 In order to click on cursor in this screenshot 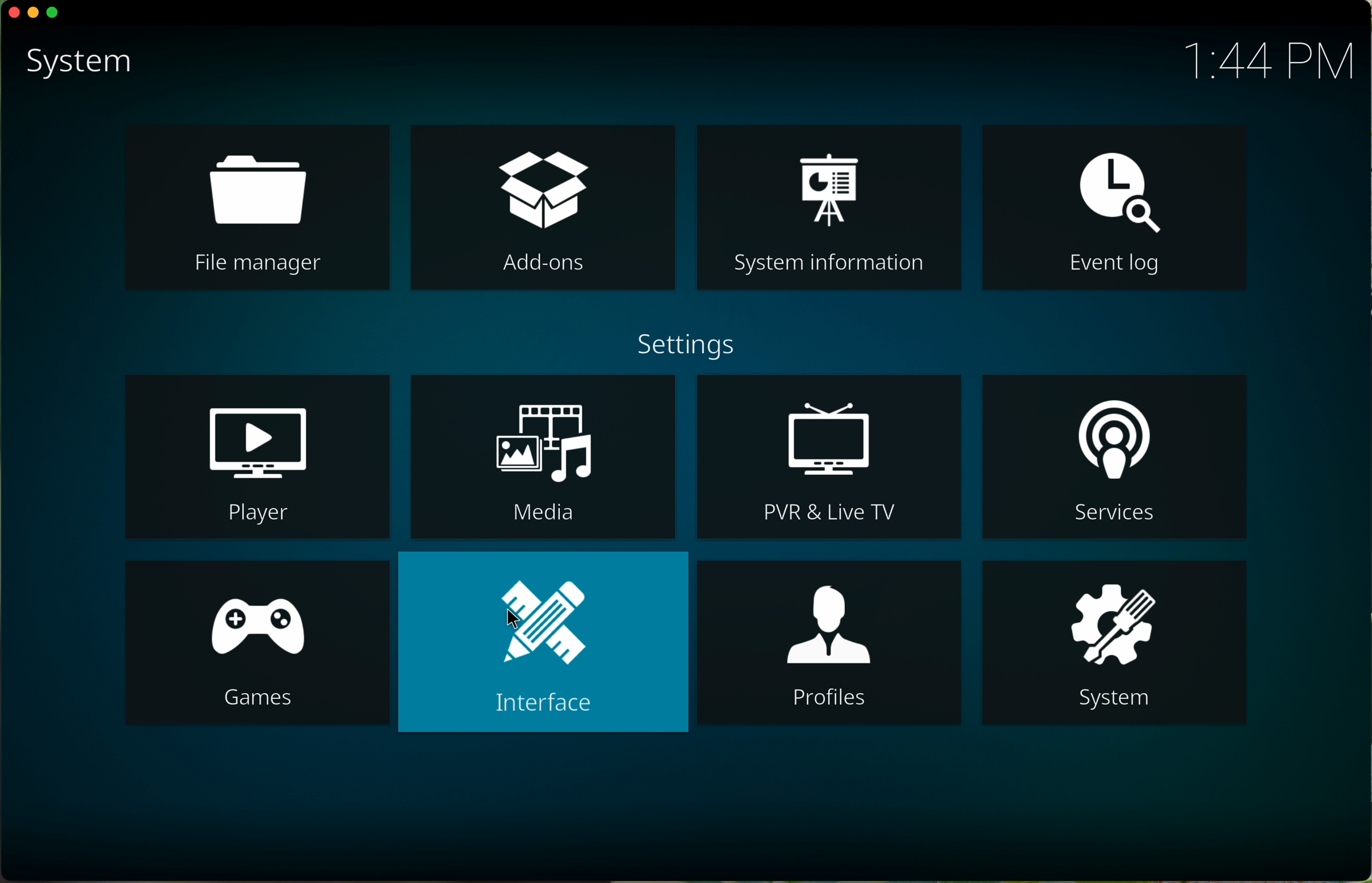, I will do `click(510, 622)`.